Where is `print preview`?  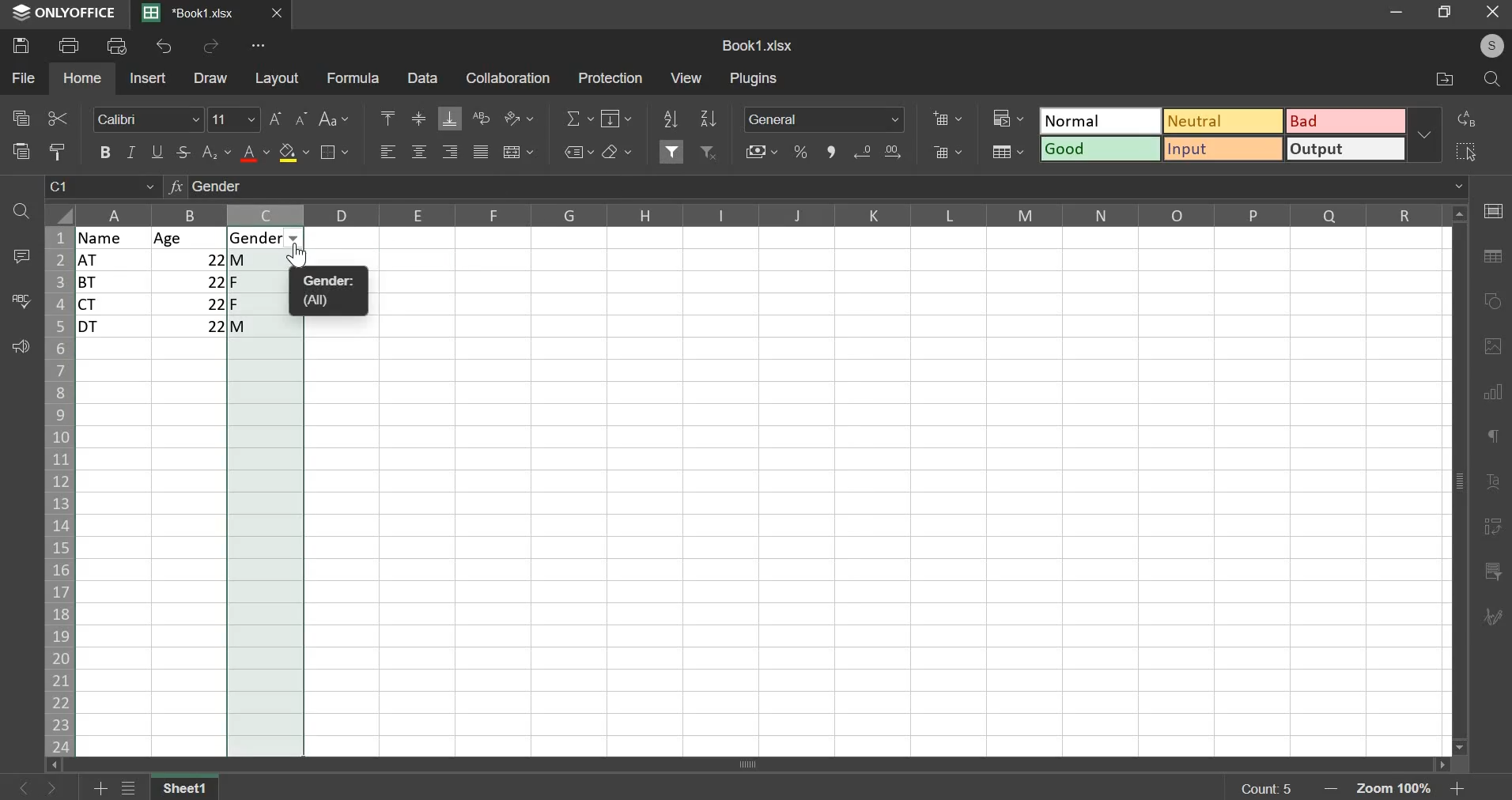 print preview is located at coordinates (117, 44).